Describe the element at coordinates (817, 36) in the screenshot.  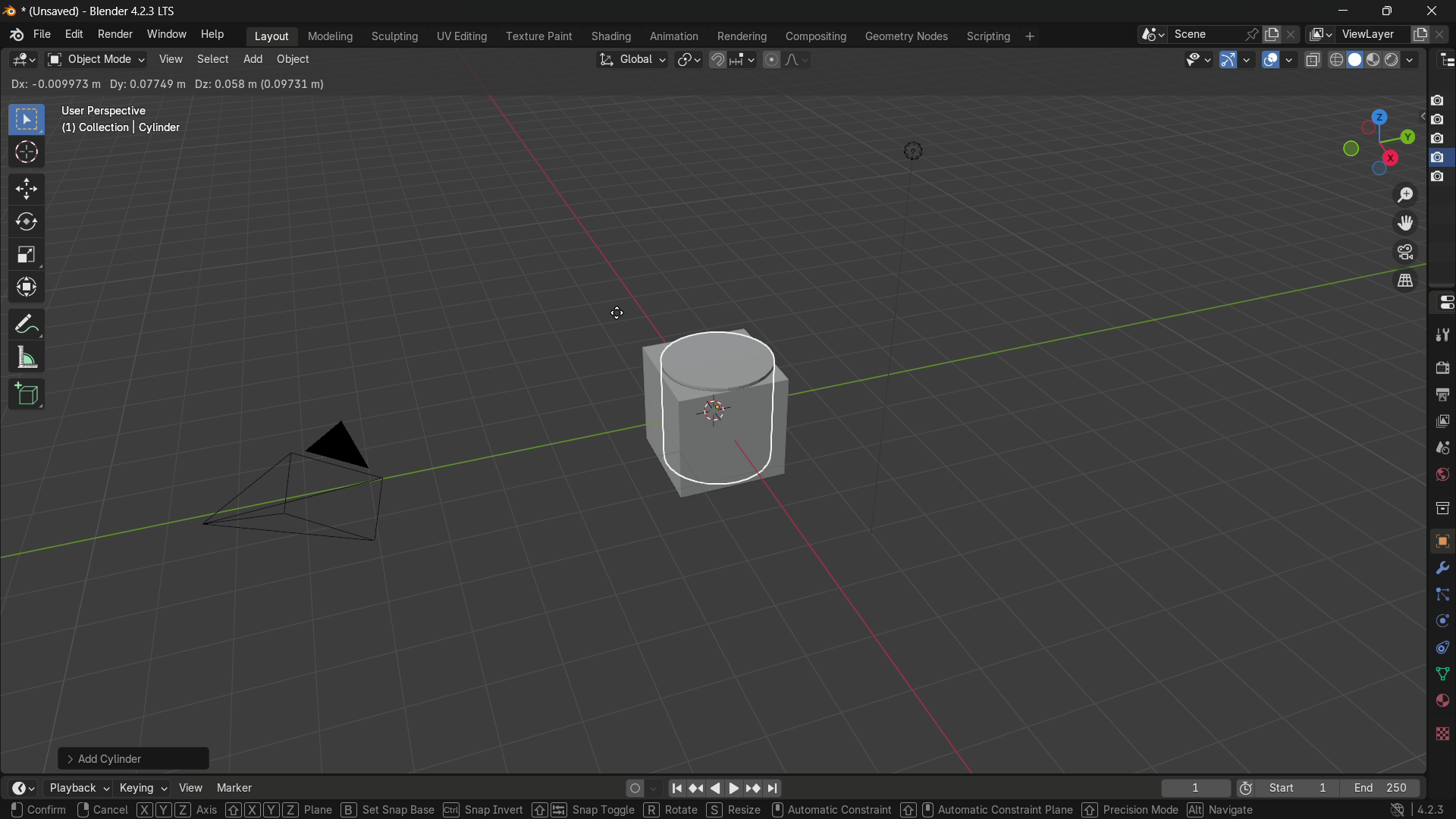
I see `compositing menu` at that location.